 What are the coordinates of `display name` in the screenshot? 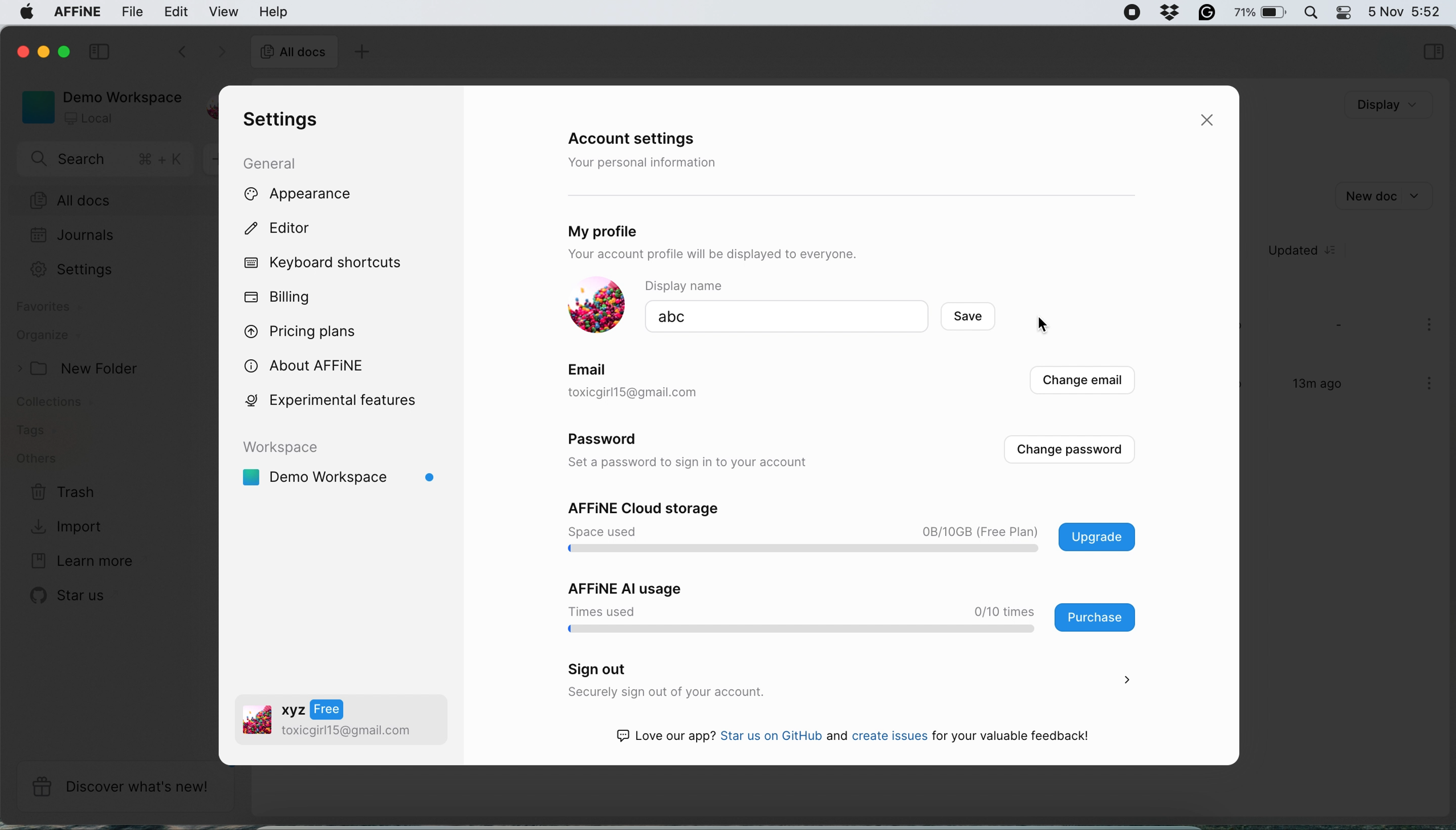 It's located at (697, 286).